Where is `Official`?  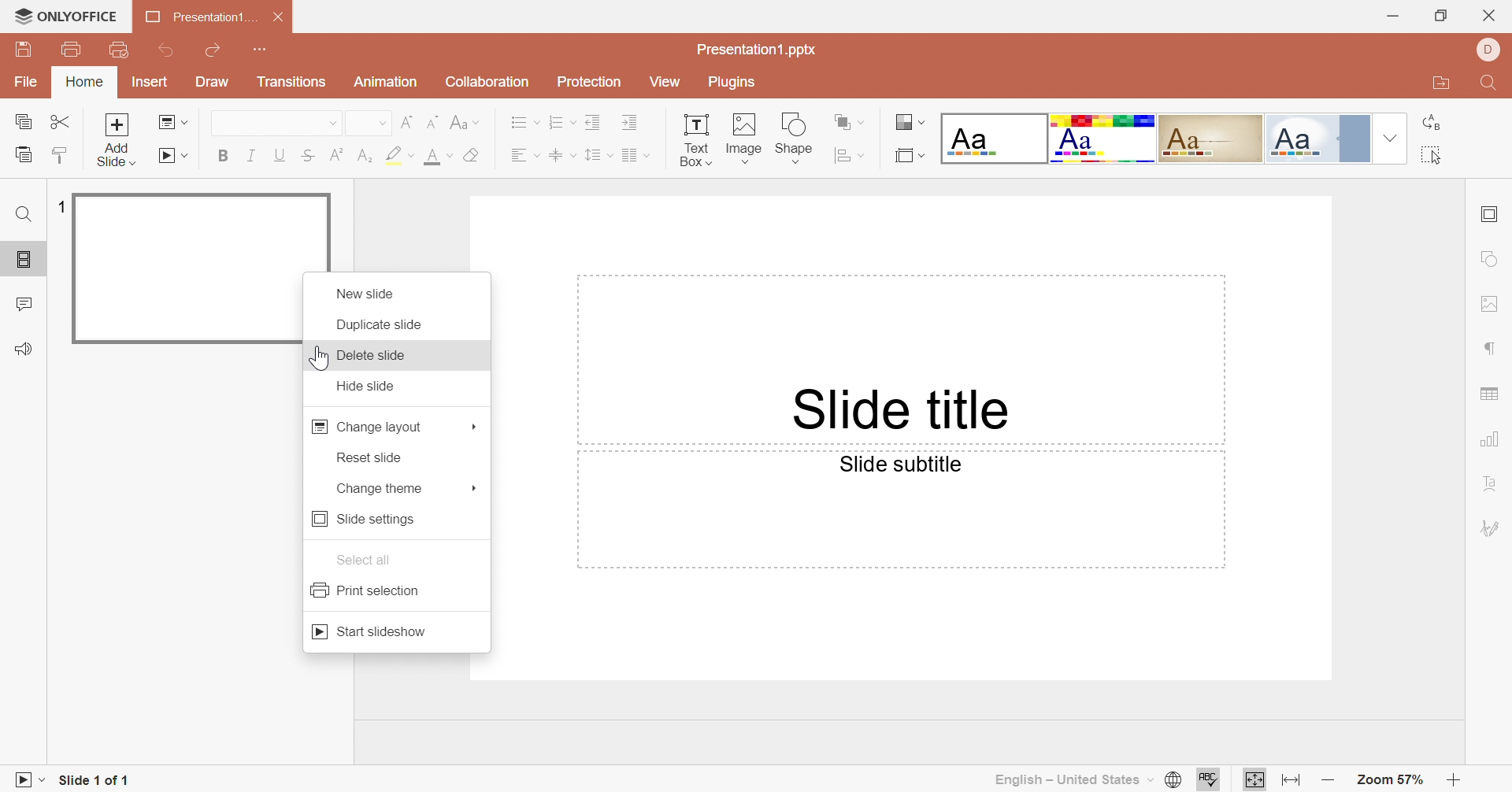 Official is located at coordinates (1317, 136).